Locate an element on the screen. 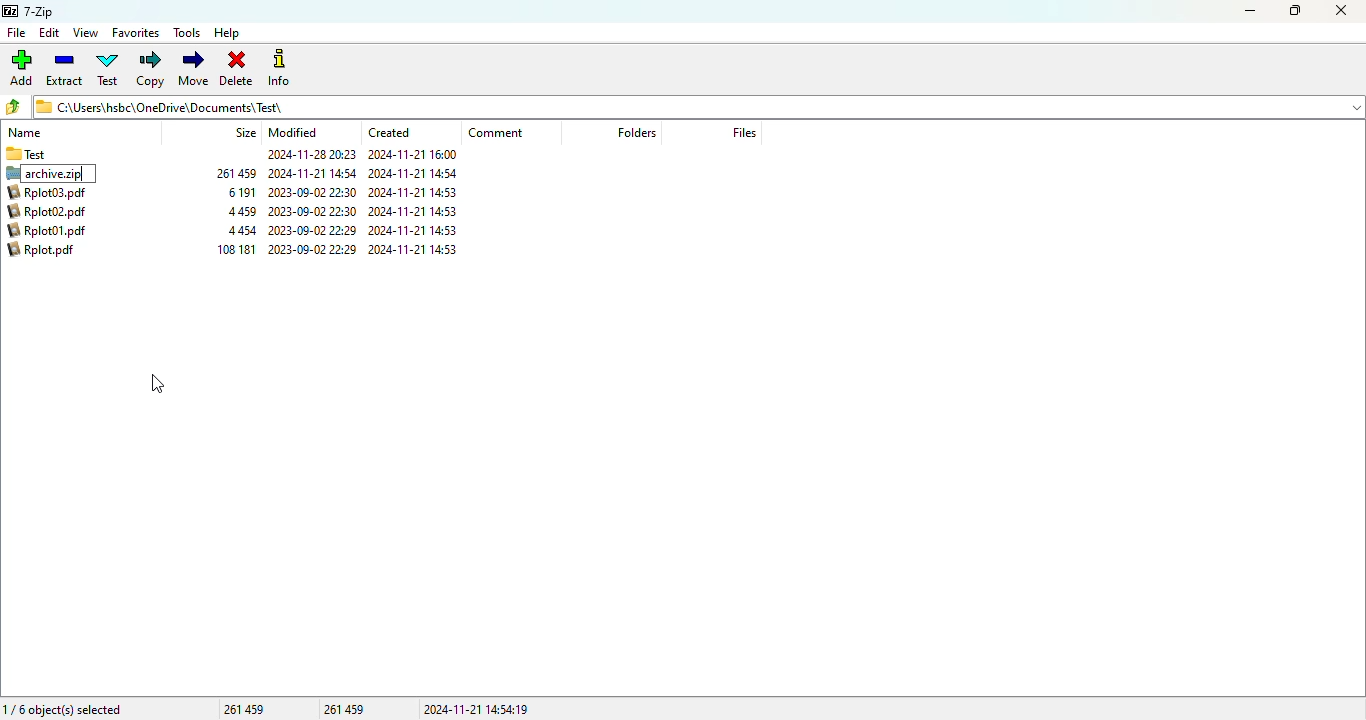  files is located at coordinates (744, 132).